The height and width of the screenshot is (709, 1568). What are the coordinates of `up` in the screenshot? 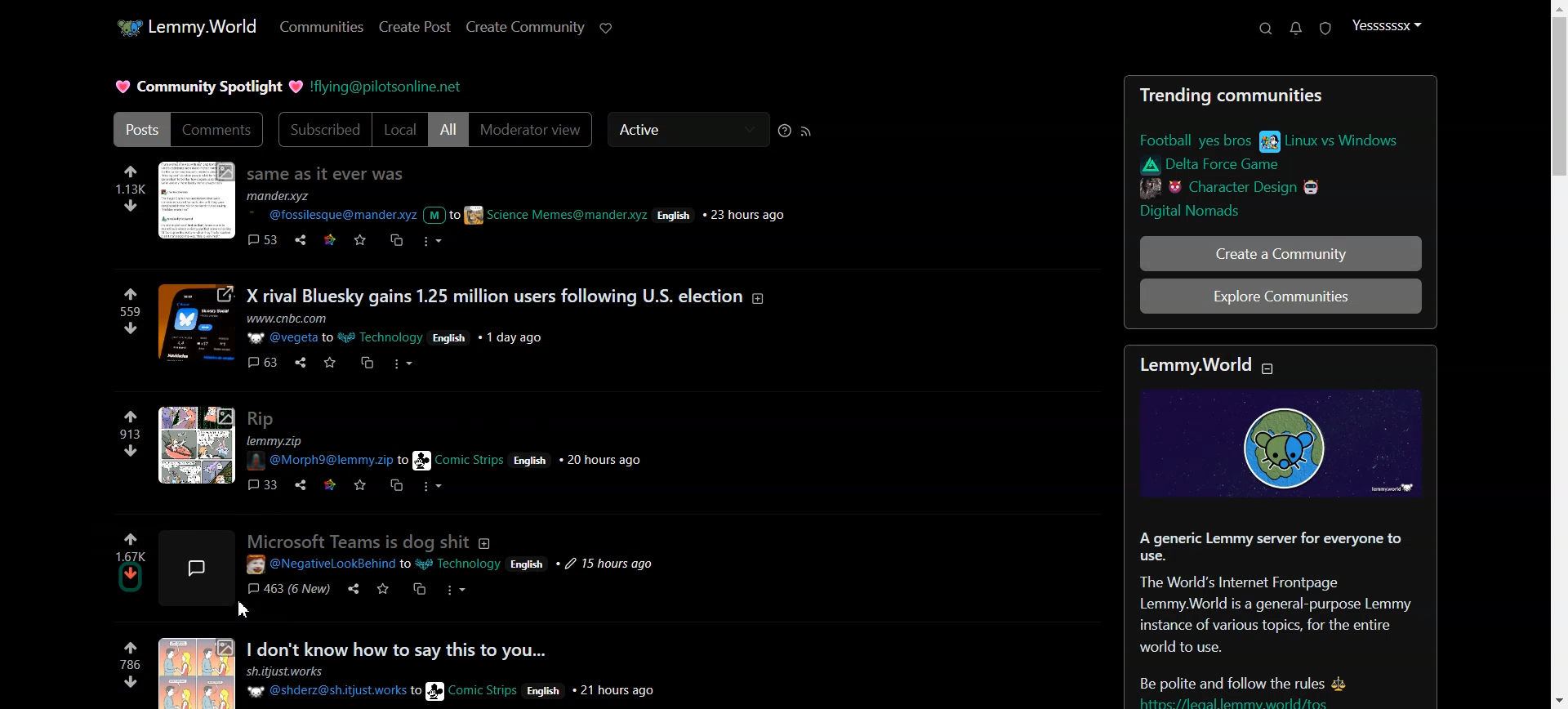 It's located at (130, 172).